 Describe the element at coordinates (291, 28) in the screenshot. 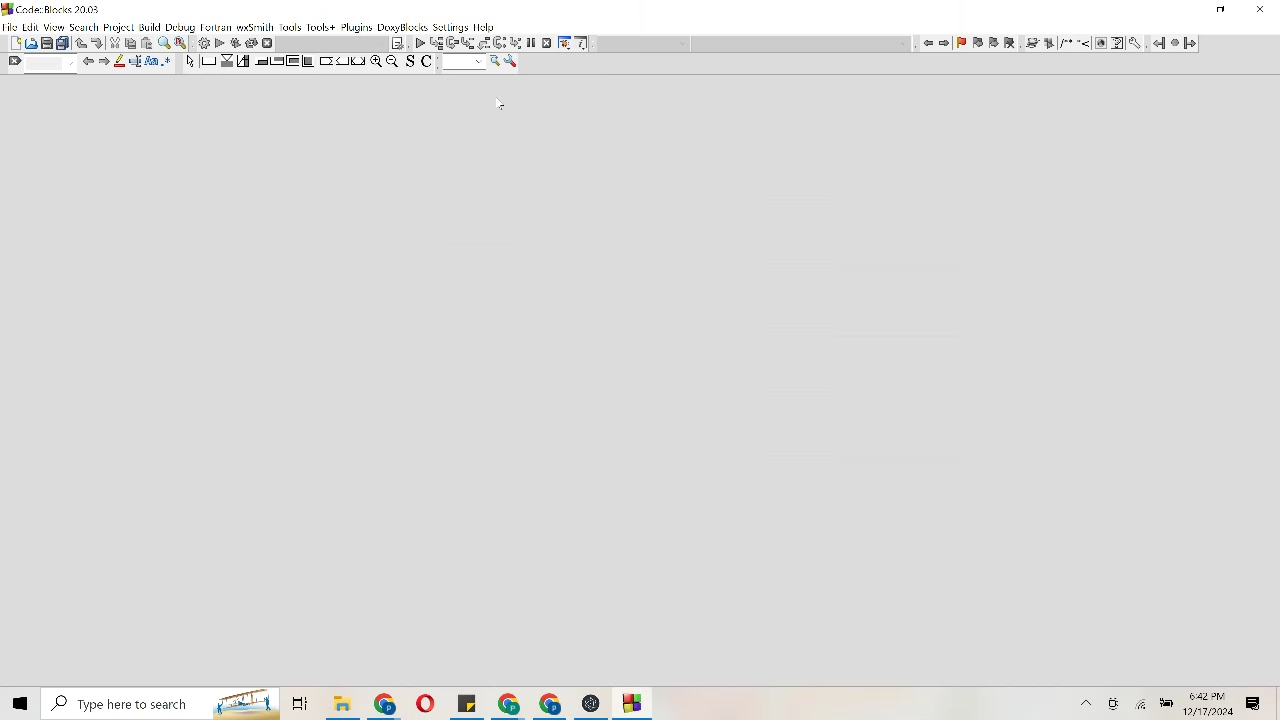

I see `Tools` at that location.